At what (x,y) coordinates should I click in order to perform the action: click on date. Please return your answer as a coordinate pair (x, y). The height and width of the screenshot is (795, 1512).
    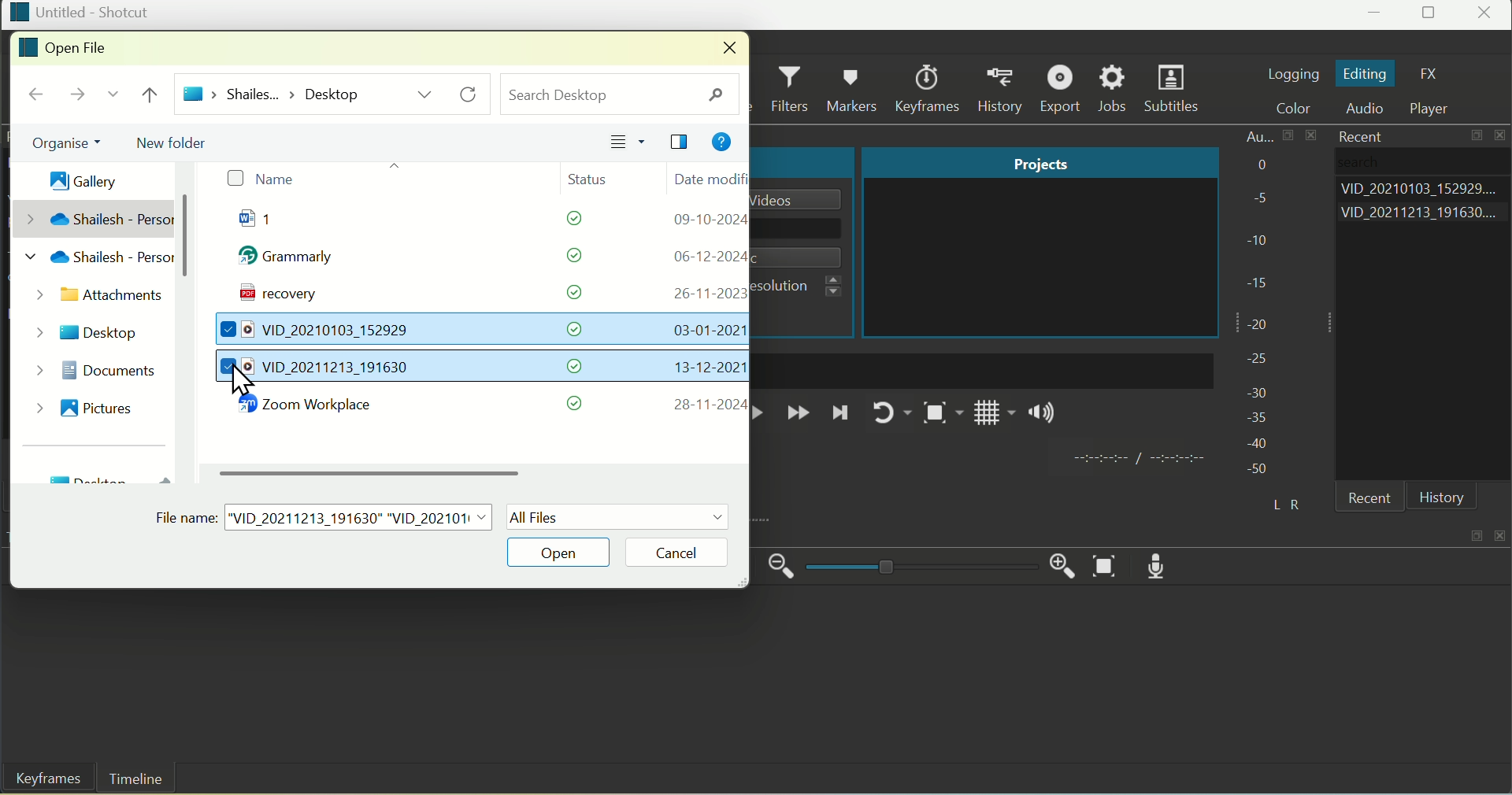
    Looking at the image, I should click on (703, 330).